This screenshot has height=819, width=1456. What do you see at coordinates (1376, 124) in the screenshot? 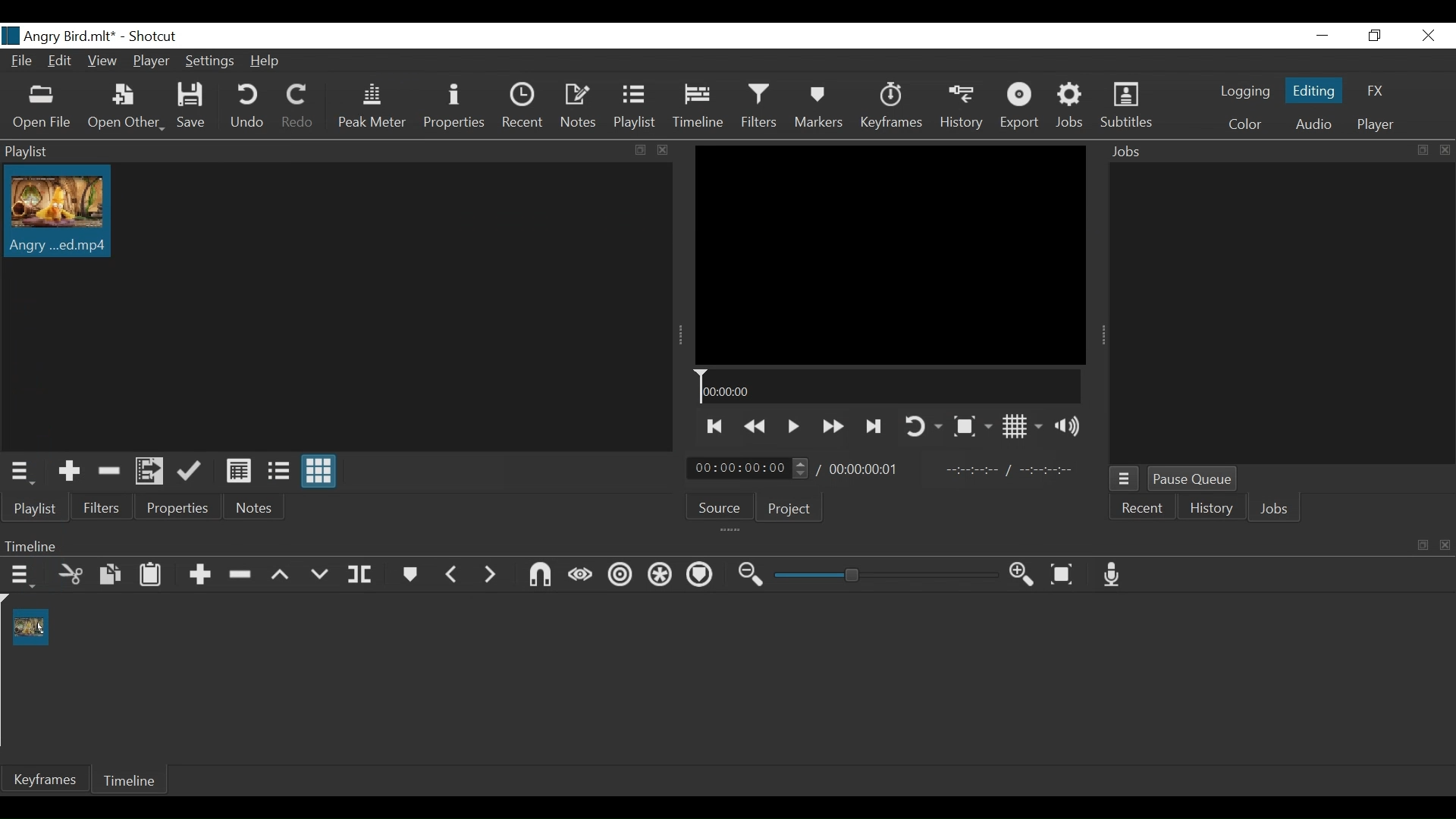
I see `player` at bounding box center [1376, 124].